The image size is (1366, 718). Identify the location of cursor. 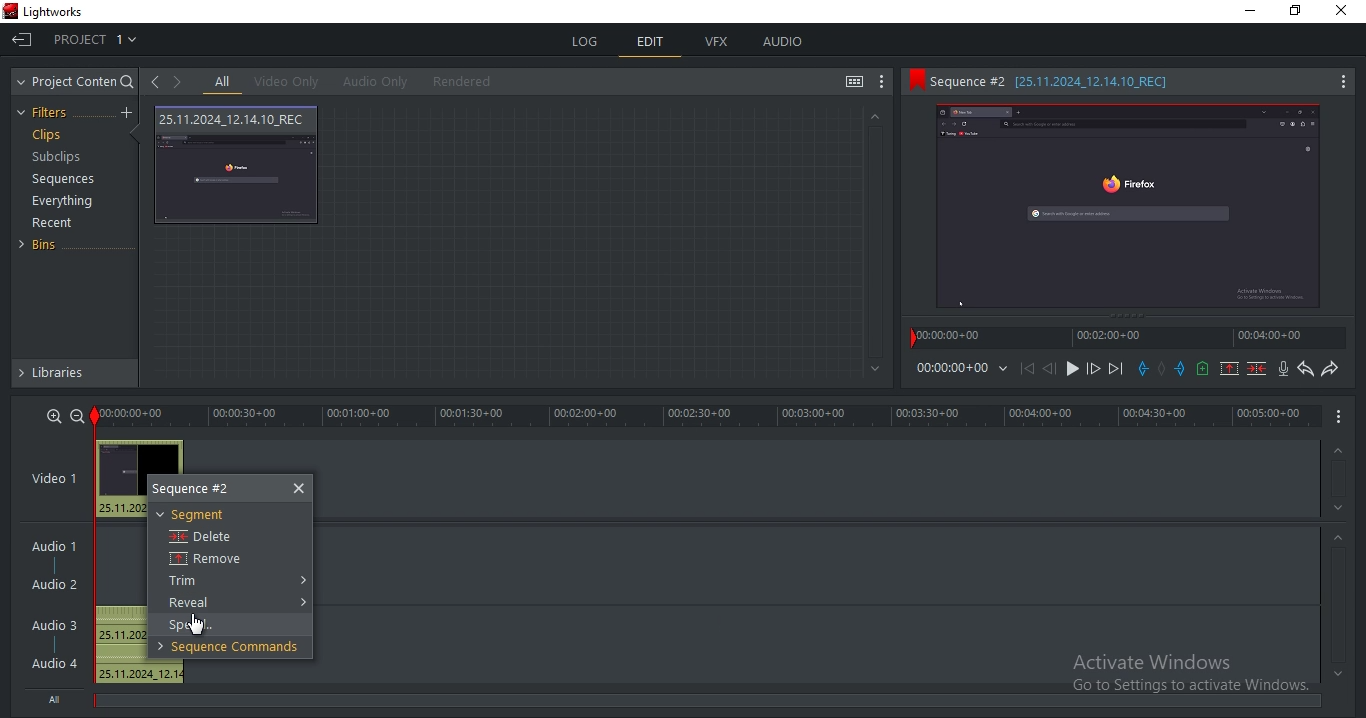
(199, 625).